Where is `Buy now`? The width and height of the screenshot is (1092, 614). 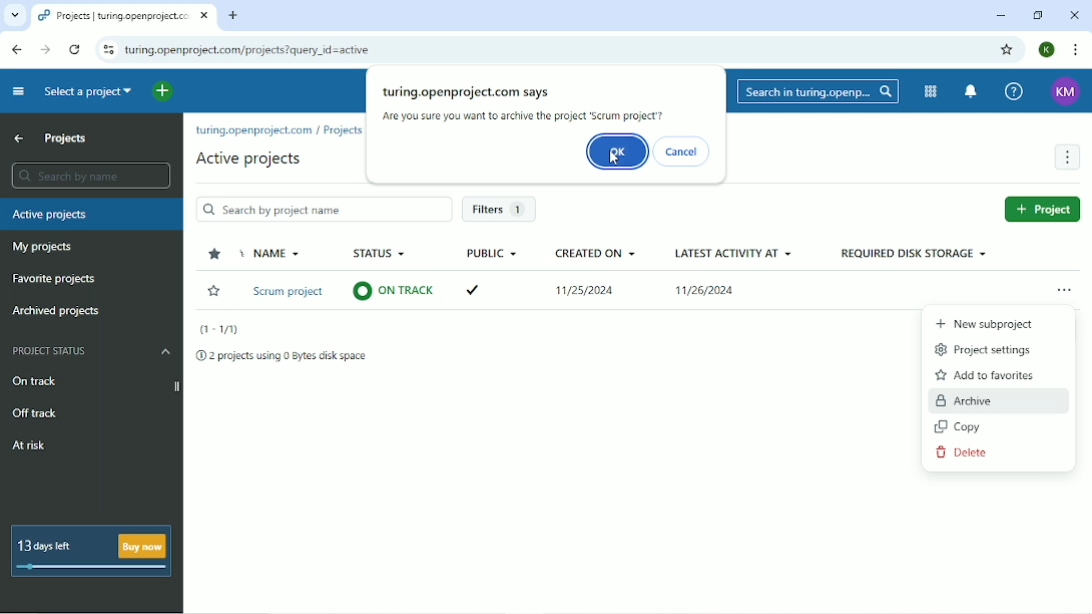 Buy now is located at coordinates (145, 542).